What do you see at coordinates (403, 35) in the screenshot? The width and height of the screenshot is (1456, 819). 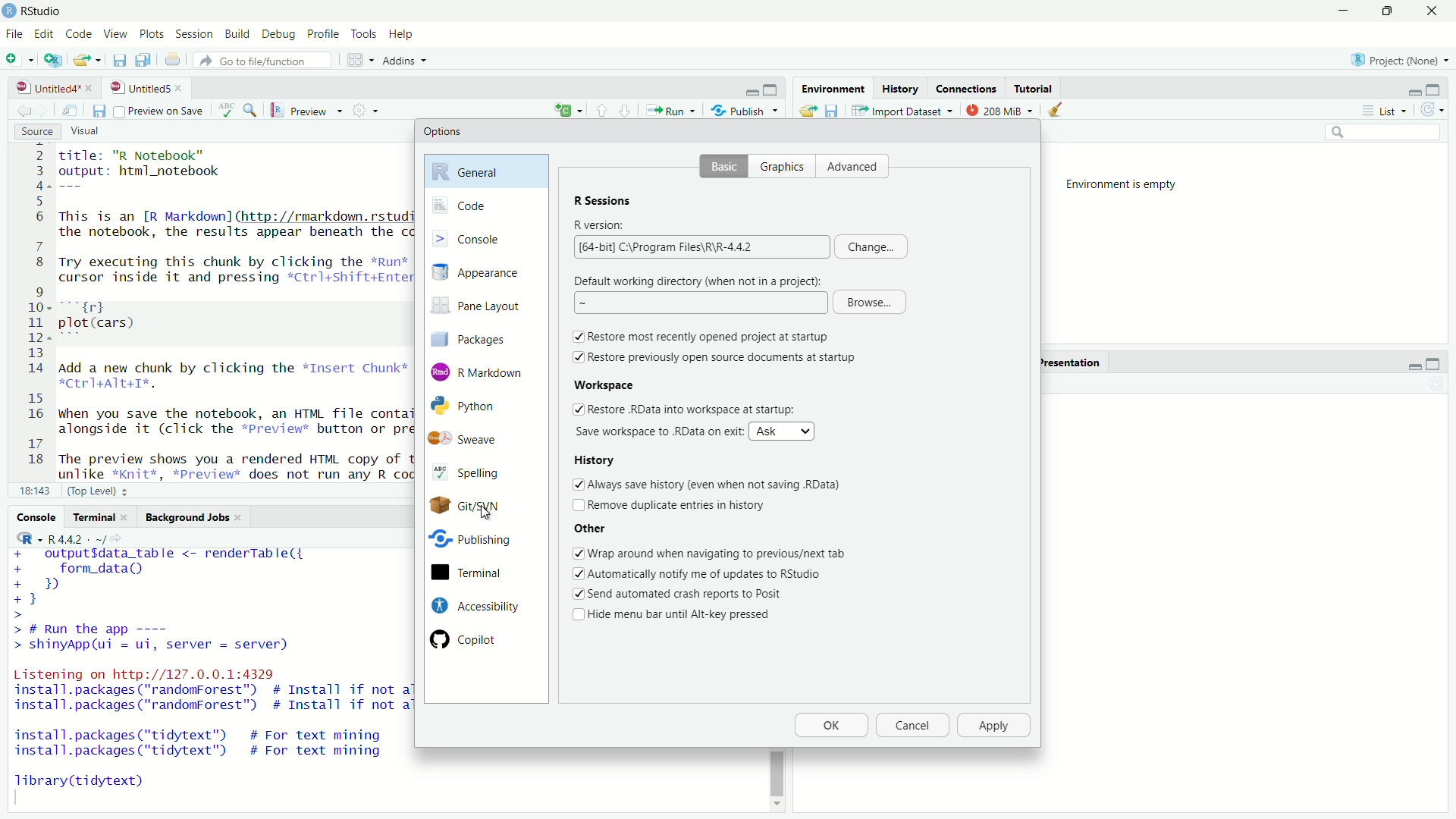 I see `Help` at bounding box center [403, 35].